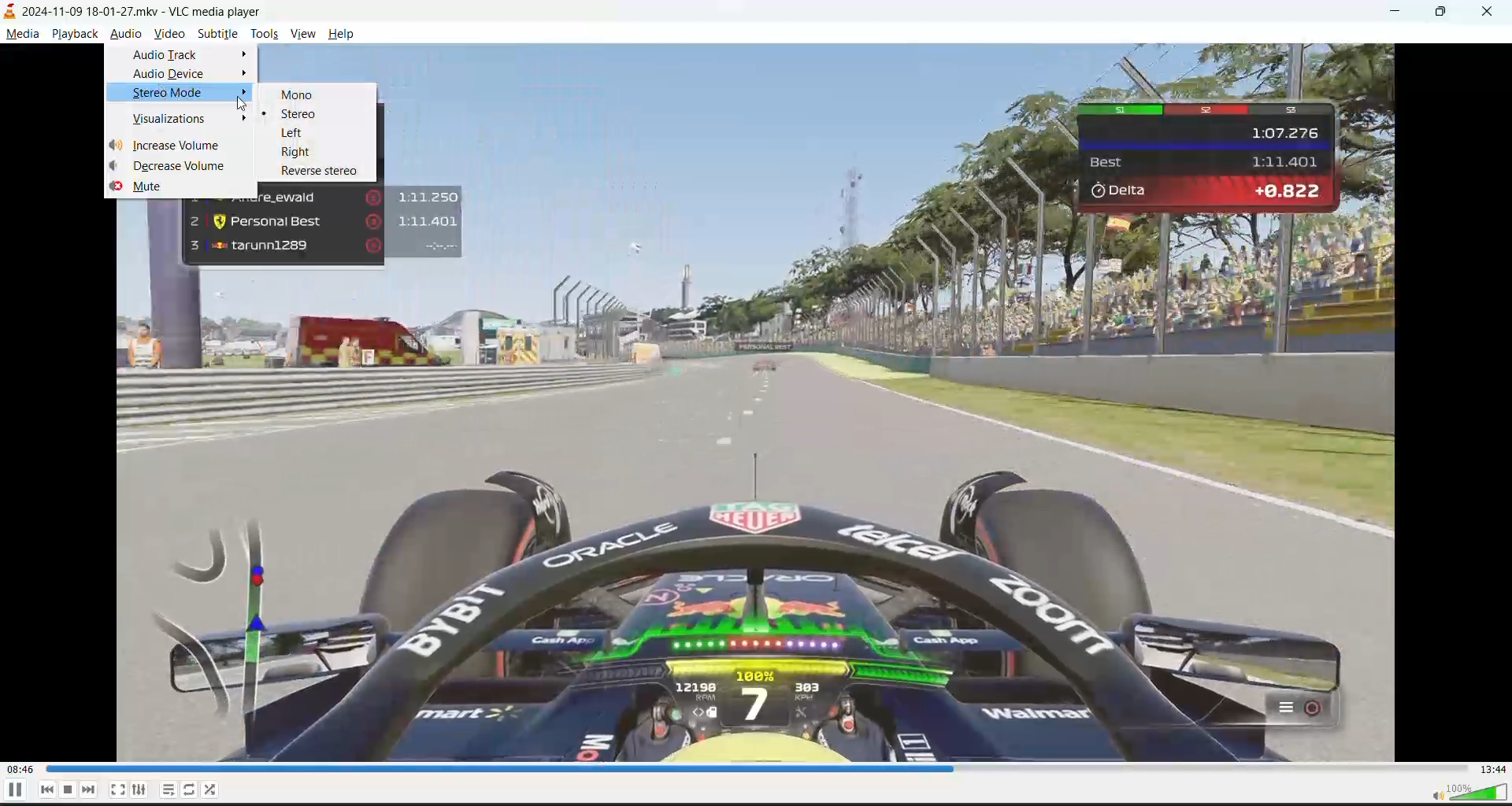  I want to click on minimize, so click(1396, 10).